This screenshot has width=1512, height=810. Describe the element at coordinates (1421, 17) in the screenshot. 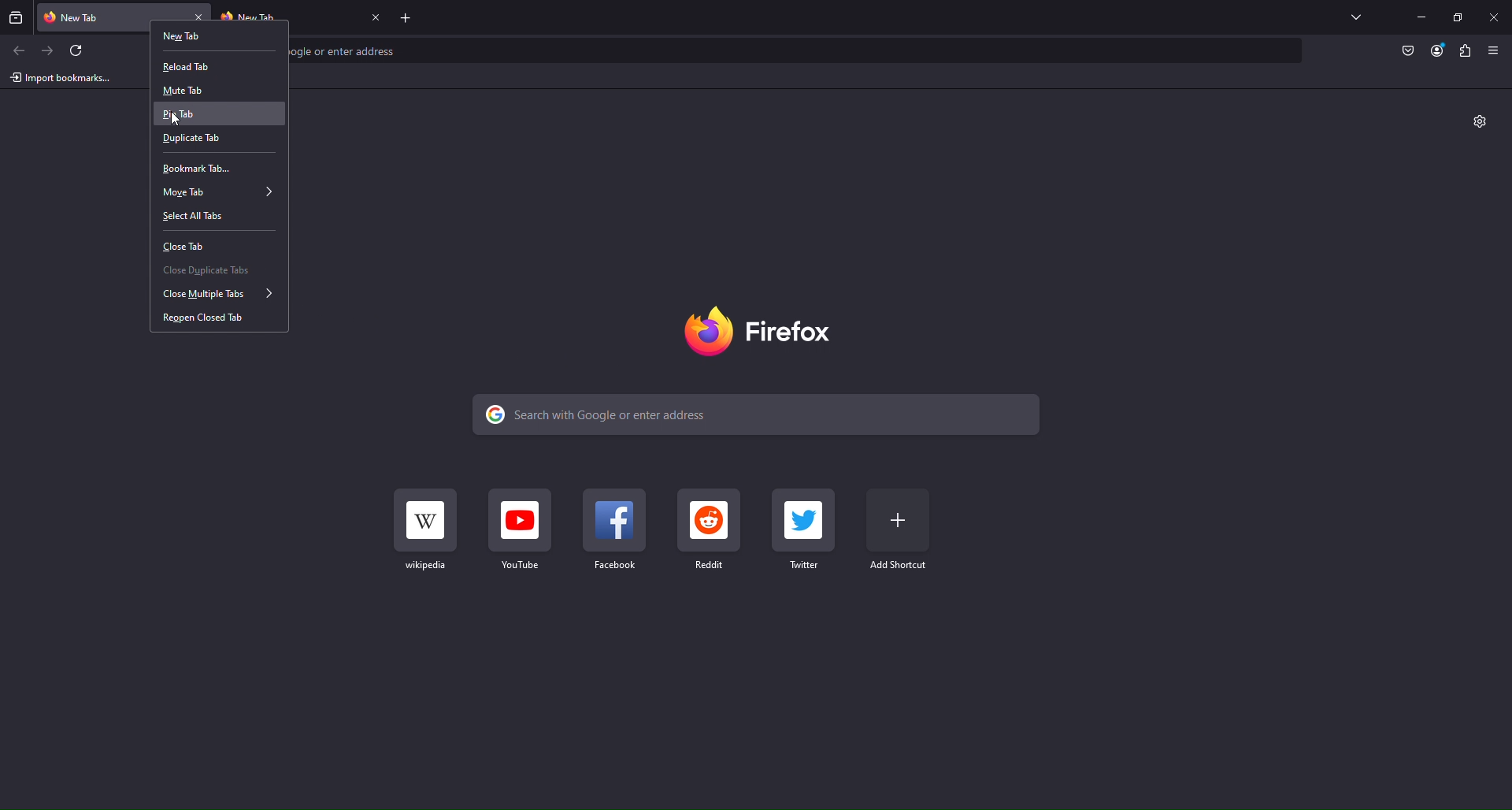

I see `Minimize` at that location.